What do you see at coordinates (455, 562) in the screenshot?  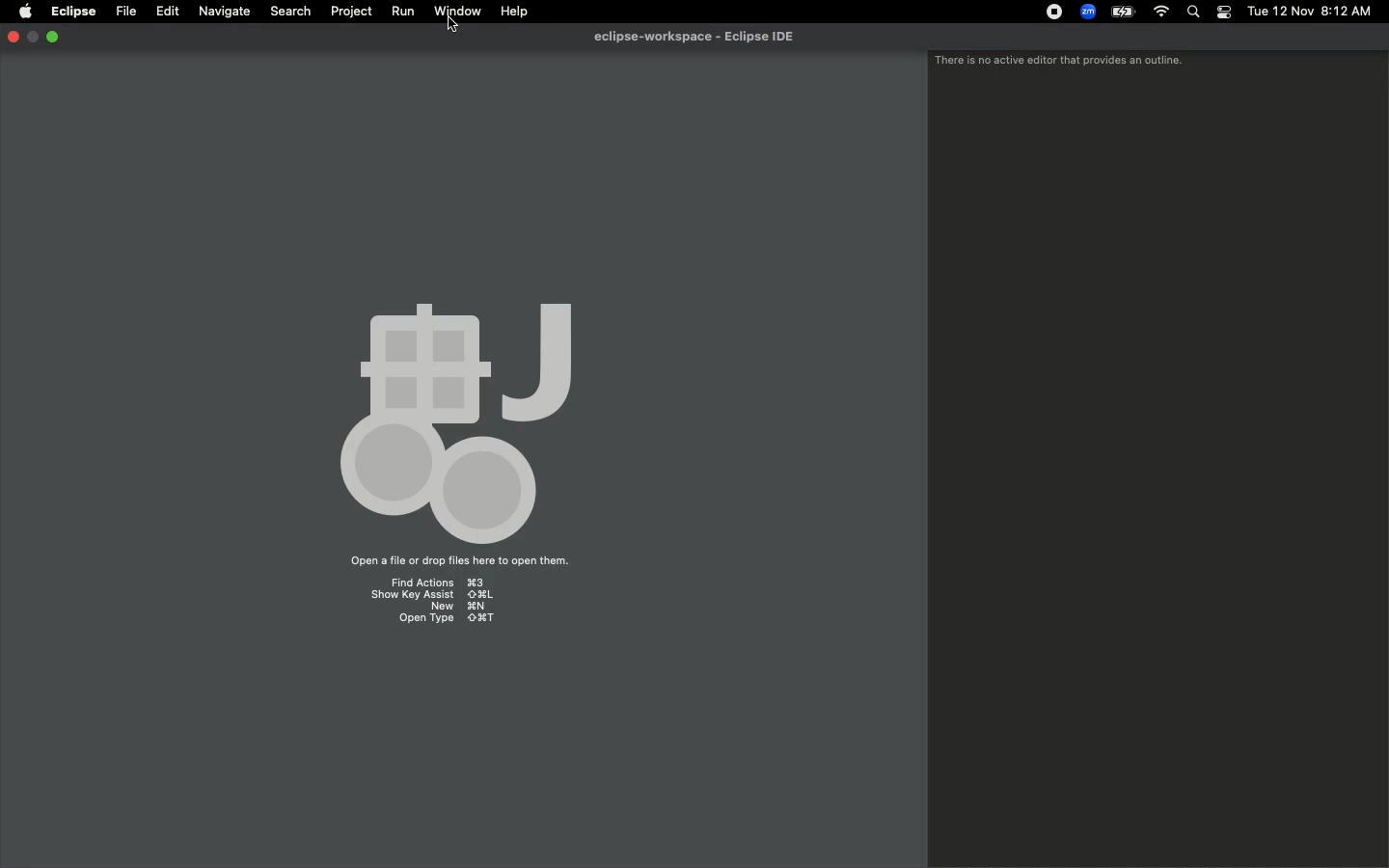 I see `Open a file or drop files here to open them` at bounding box center [455, 562].